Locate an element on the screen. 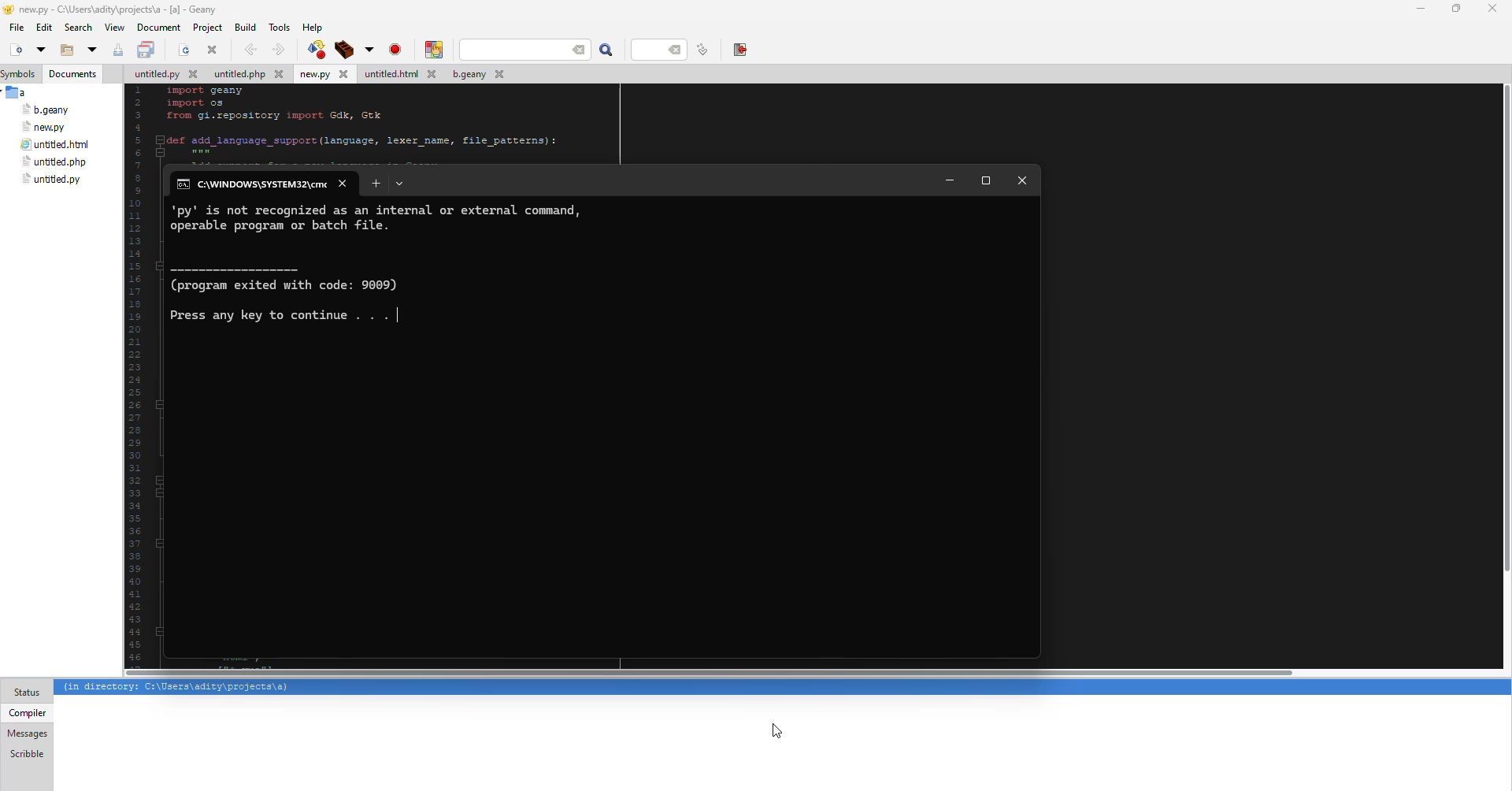 The height and width of the screenshot is (791, 1512). build is located at coordinates (345, 50).